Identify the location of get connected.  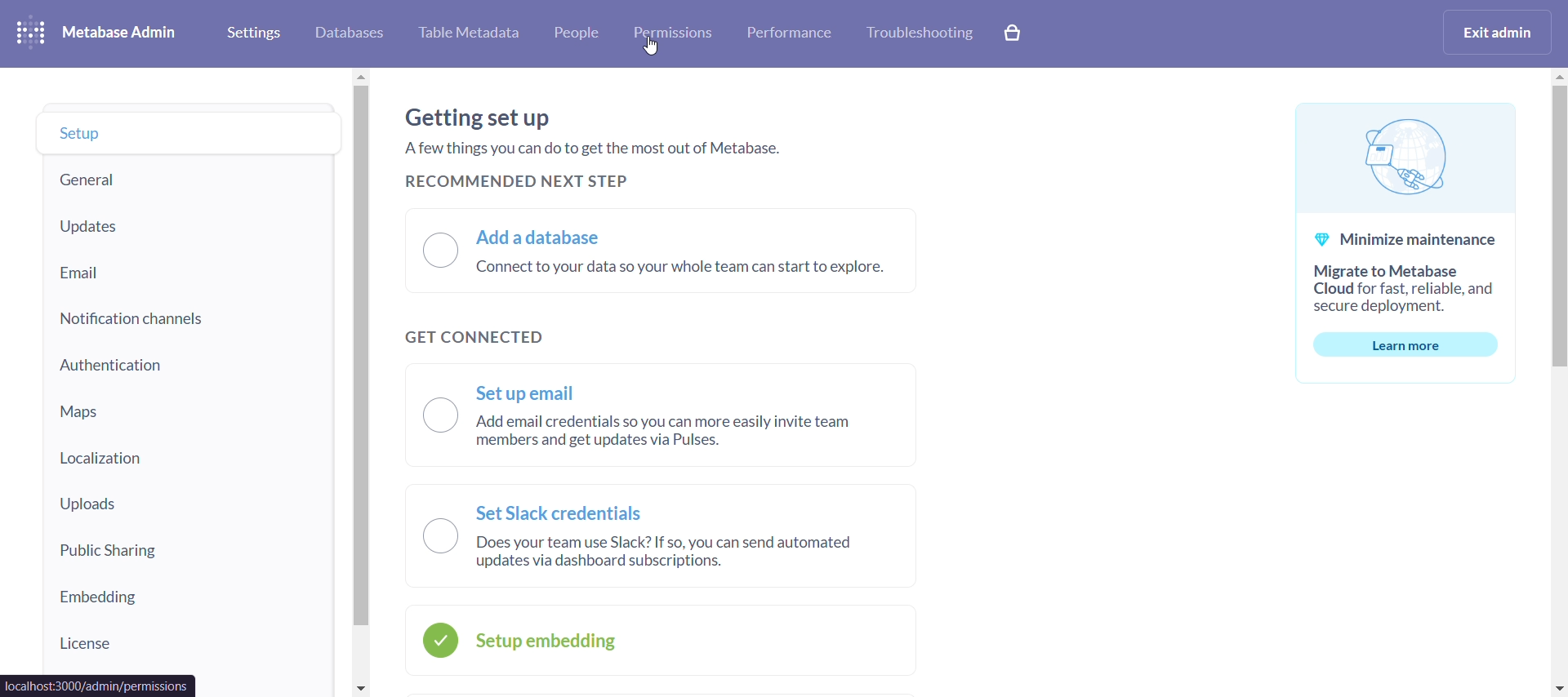
(477, 339).